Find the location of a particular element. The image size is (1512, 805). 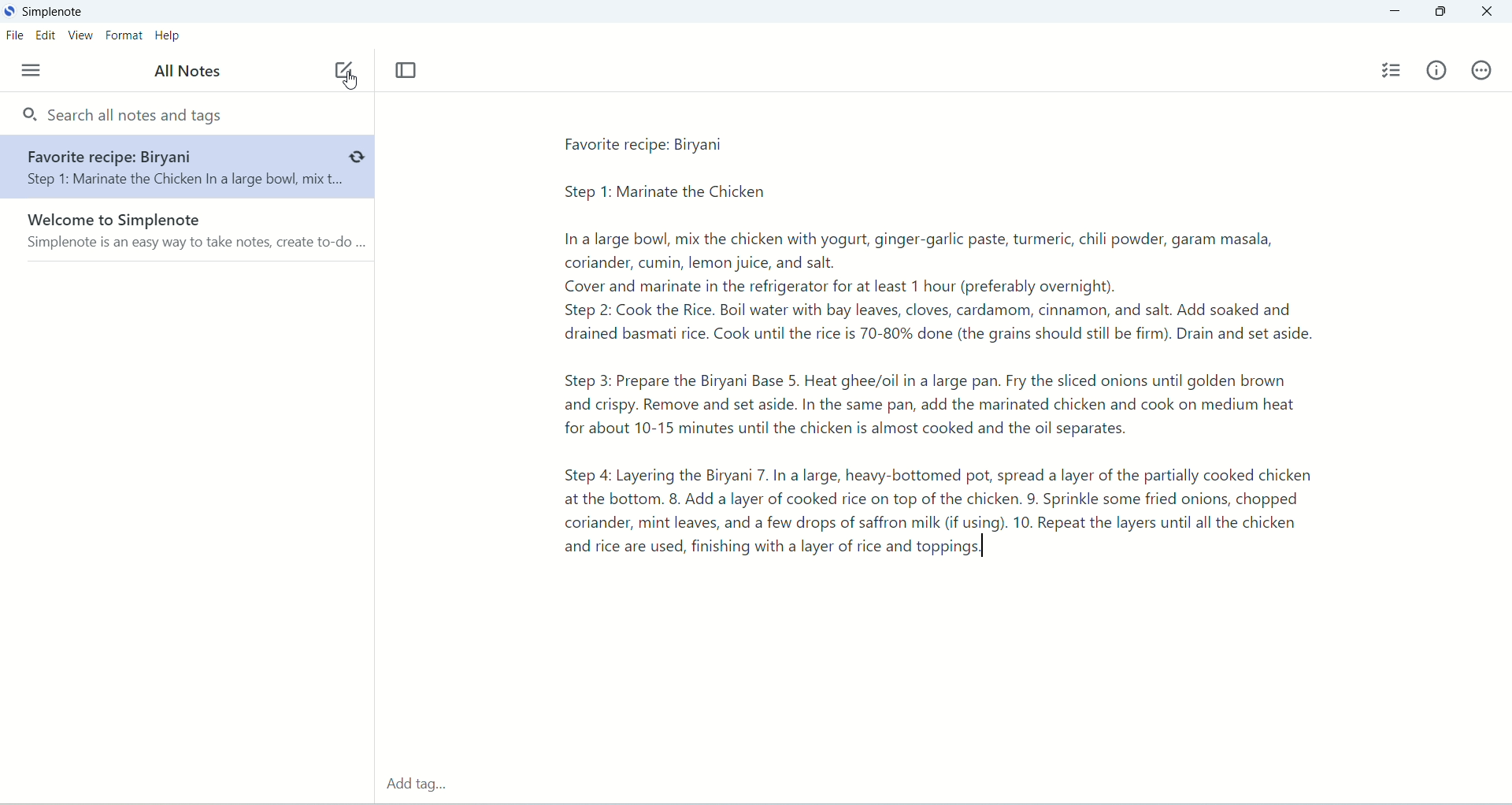

new note is located at coordinates (341, 66).